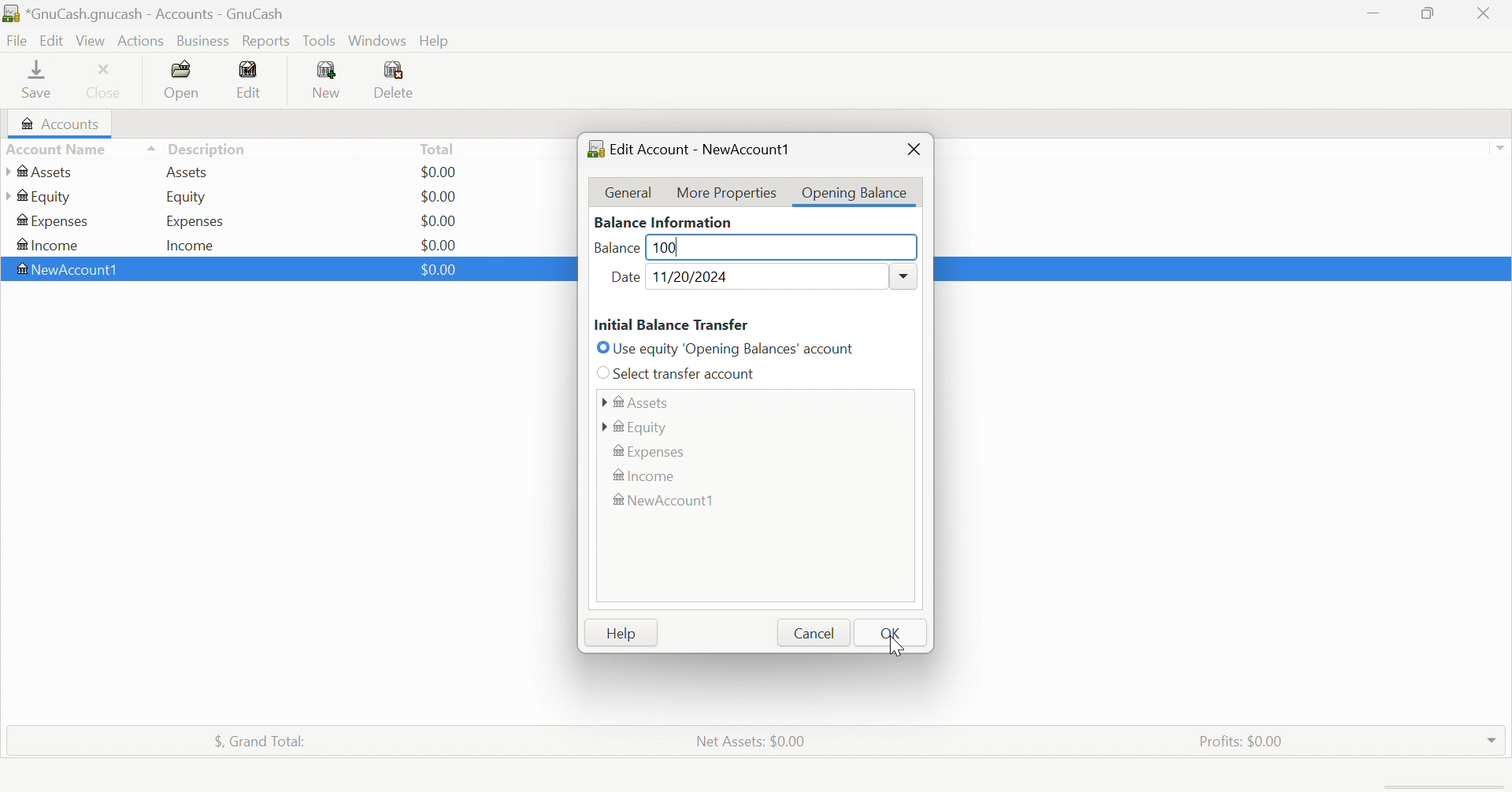 The width and height of the screenshot is (1512, 792). What do you see at coordinates (54, 221) in the screenshot?
I see `Expenses` at bounding box center [54, 221].